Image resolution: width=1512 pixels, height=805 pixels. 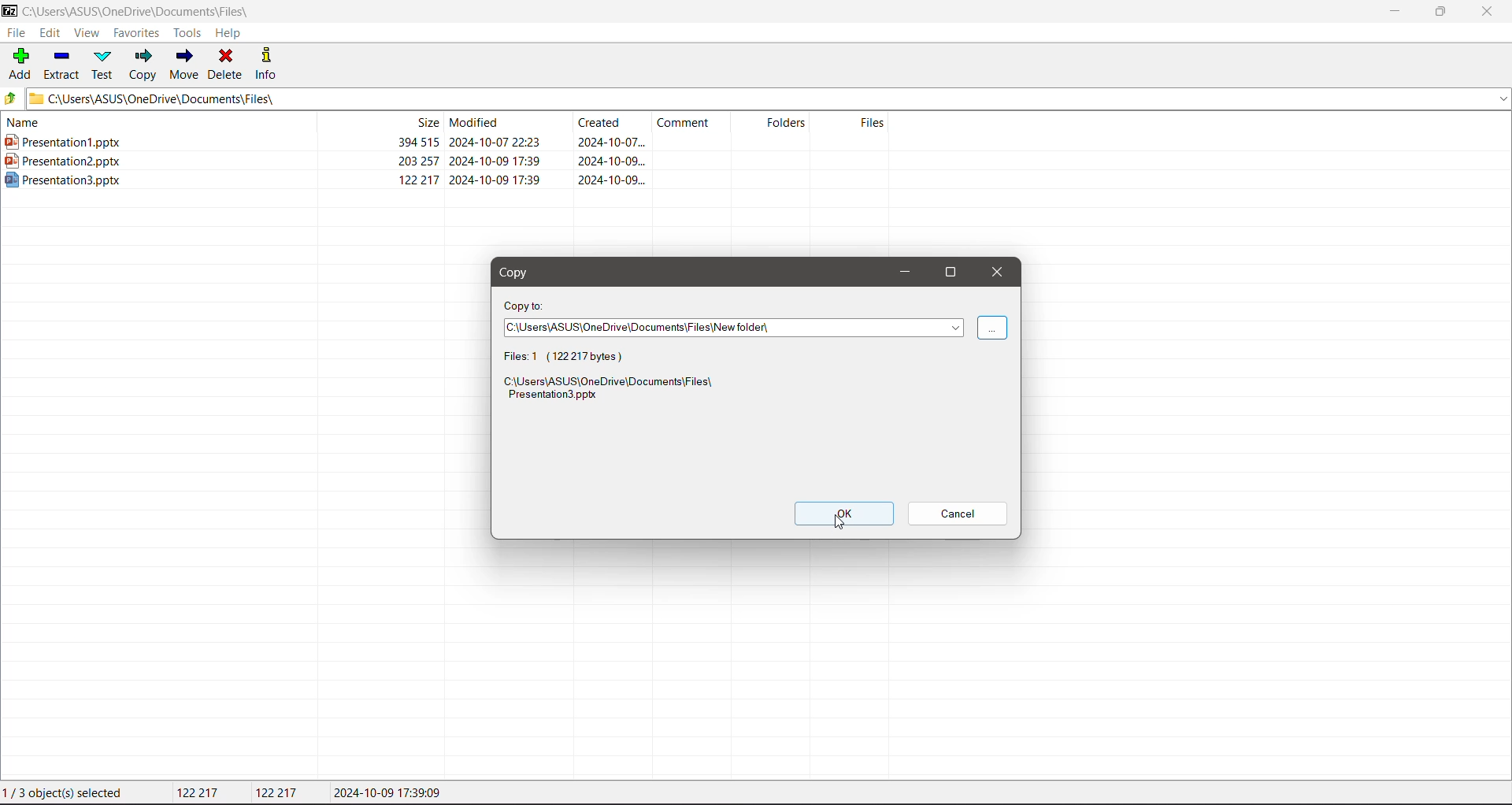 I want to click on Size of the last file selected, so click(x=279, y=792).